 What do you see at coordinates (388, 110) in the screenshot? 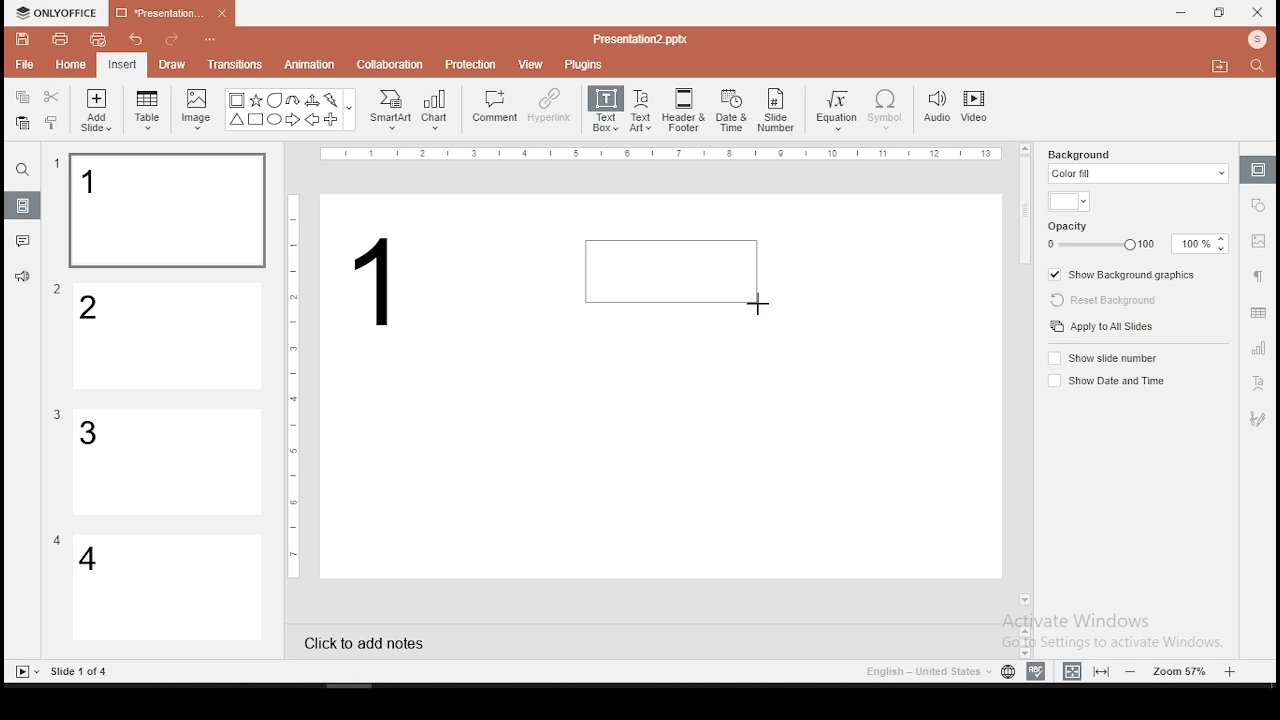
I see `smart` at bounding box center [388, 110].